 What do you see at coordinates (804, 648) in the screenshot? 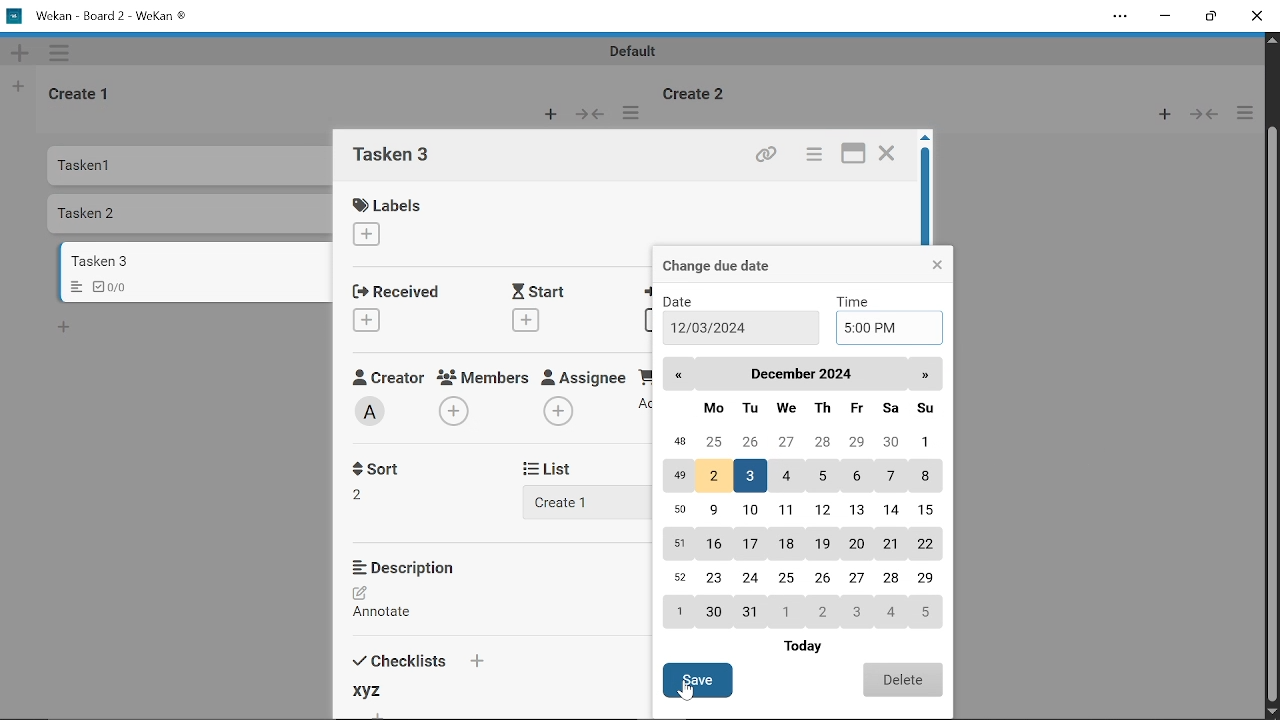
I see `Today` at bounding box center [804, 648].